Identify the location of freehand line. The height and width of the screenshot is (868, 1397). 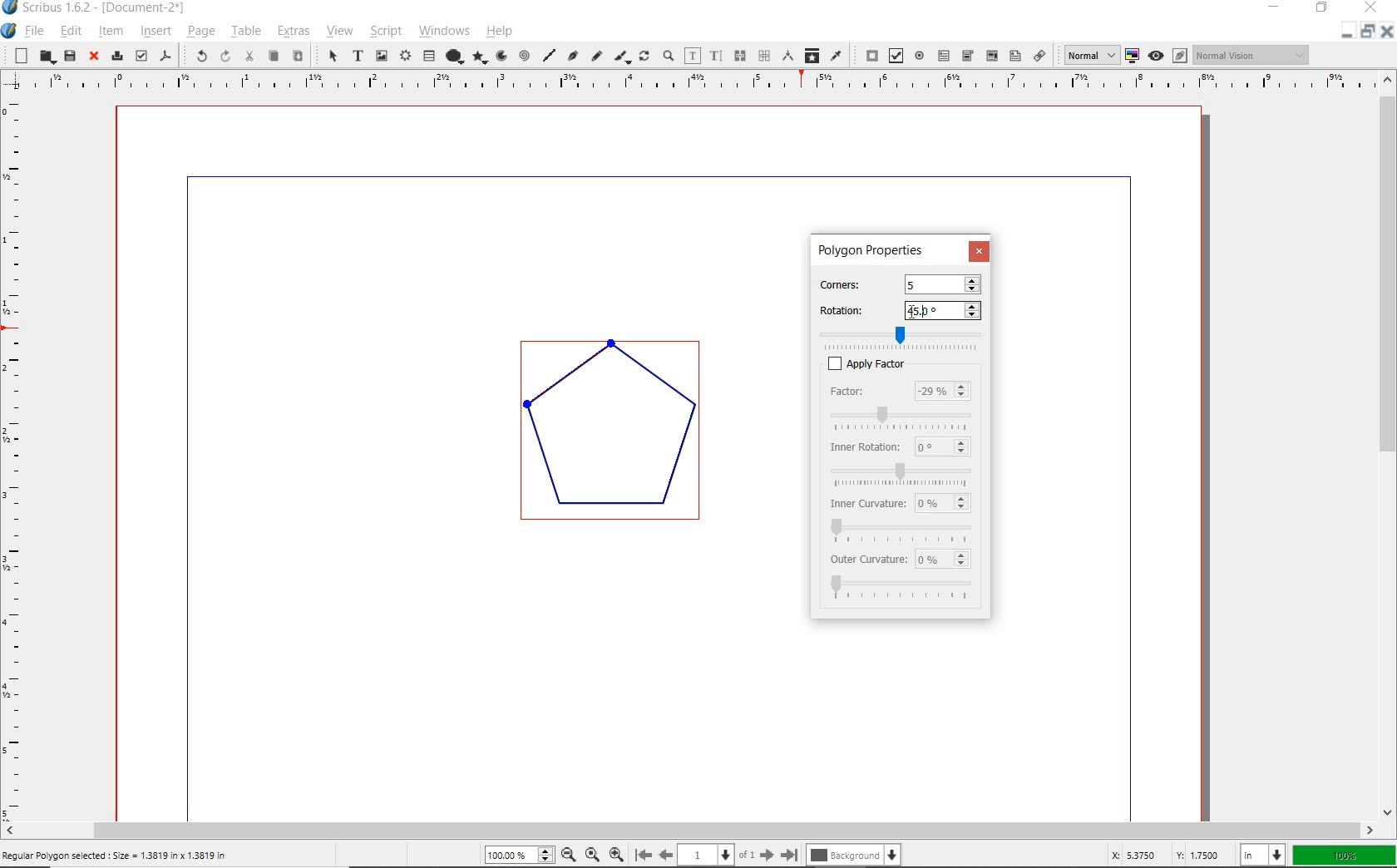
(596, 57).